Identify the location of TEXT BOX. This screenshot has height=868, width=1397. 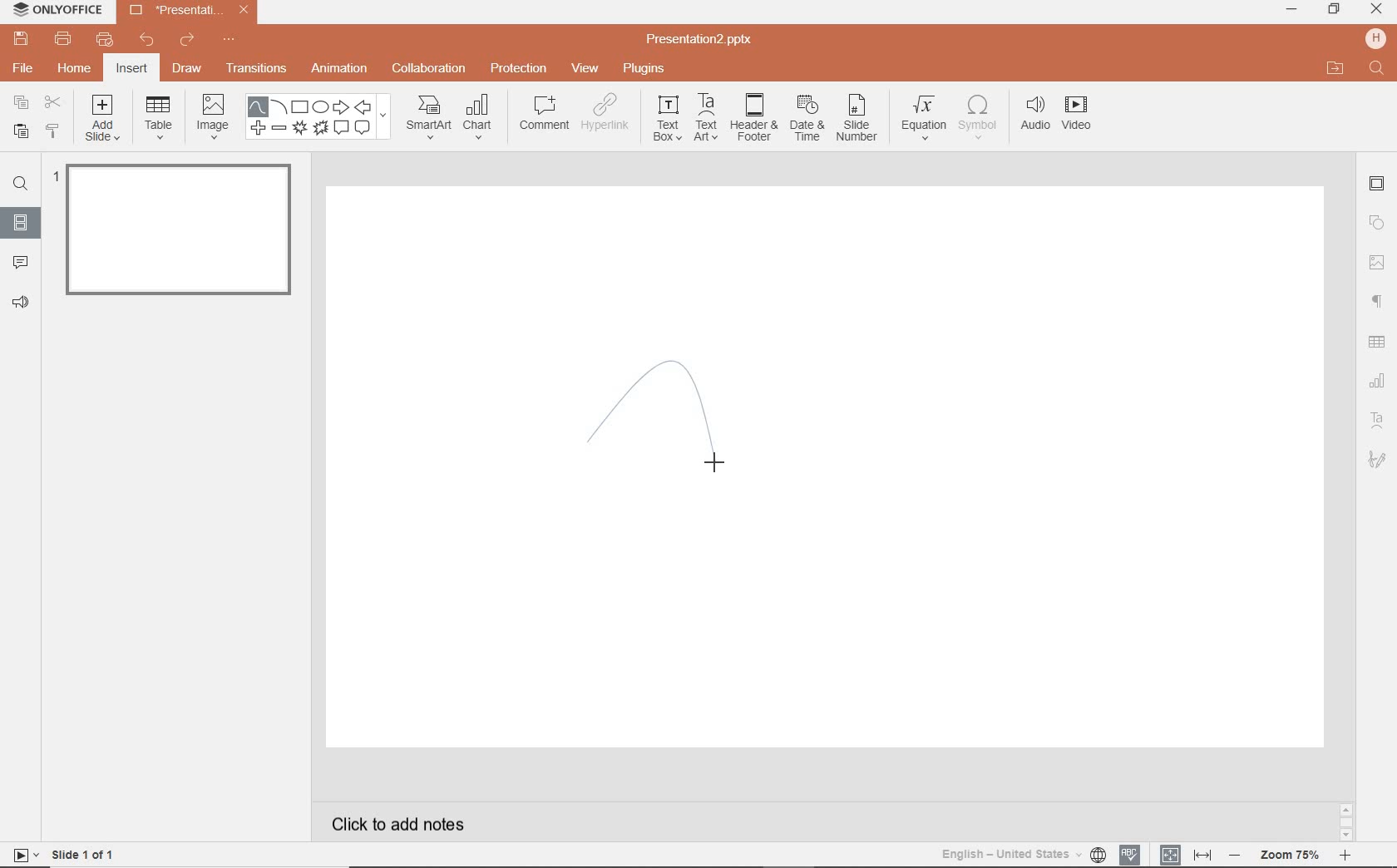
(665, 121).